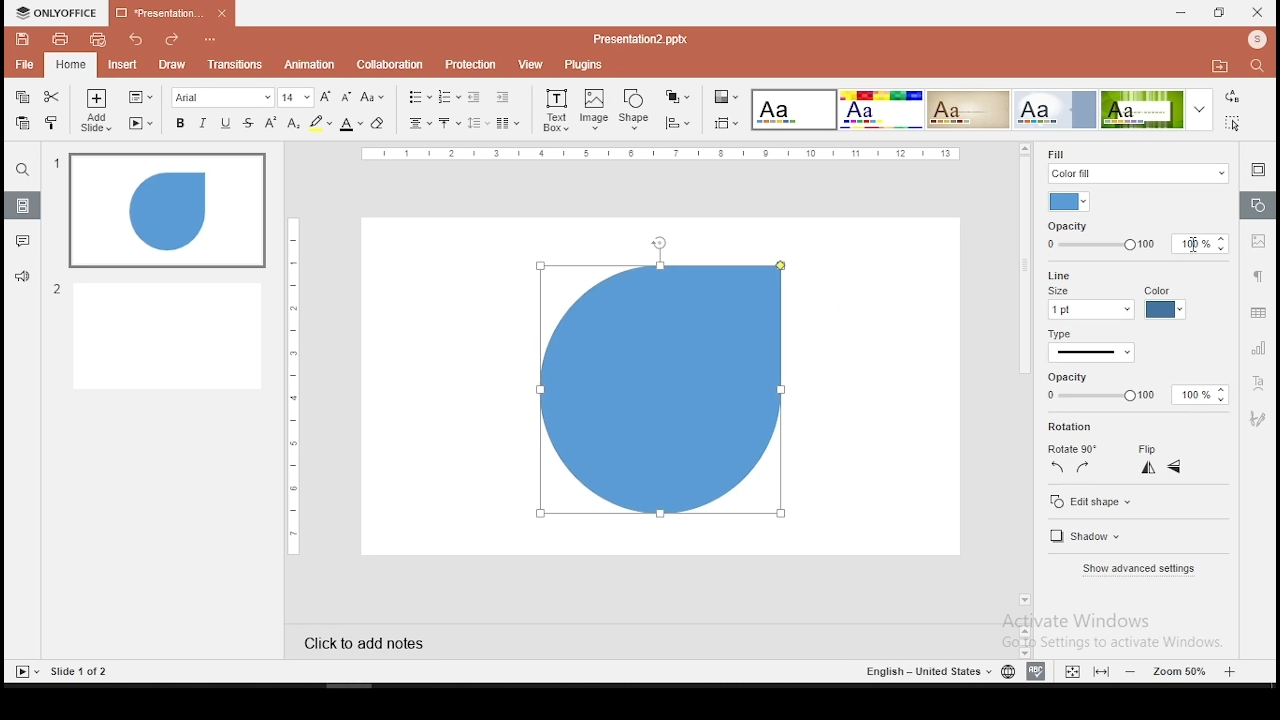 The width and height of the screenshot is (1280, 720). What do you see at coordinates (96, 40) in the screenshot?
I see `quick print` at bounding box center [96, 40].